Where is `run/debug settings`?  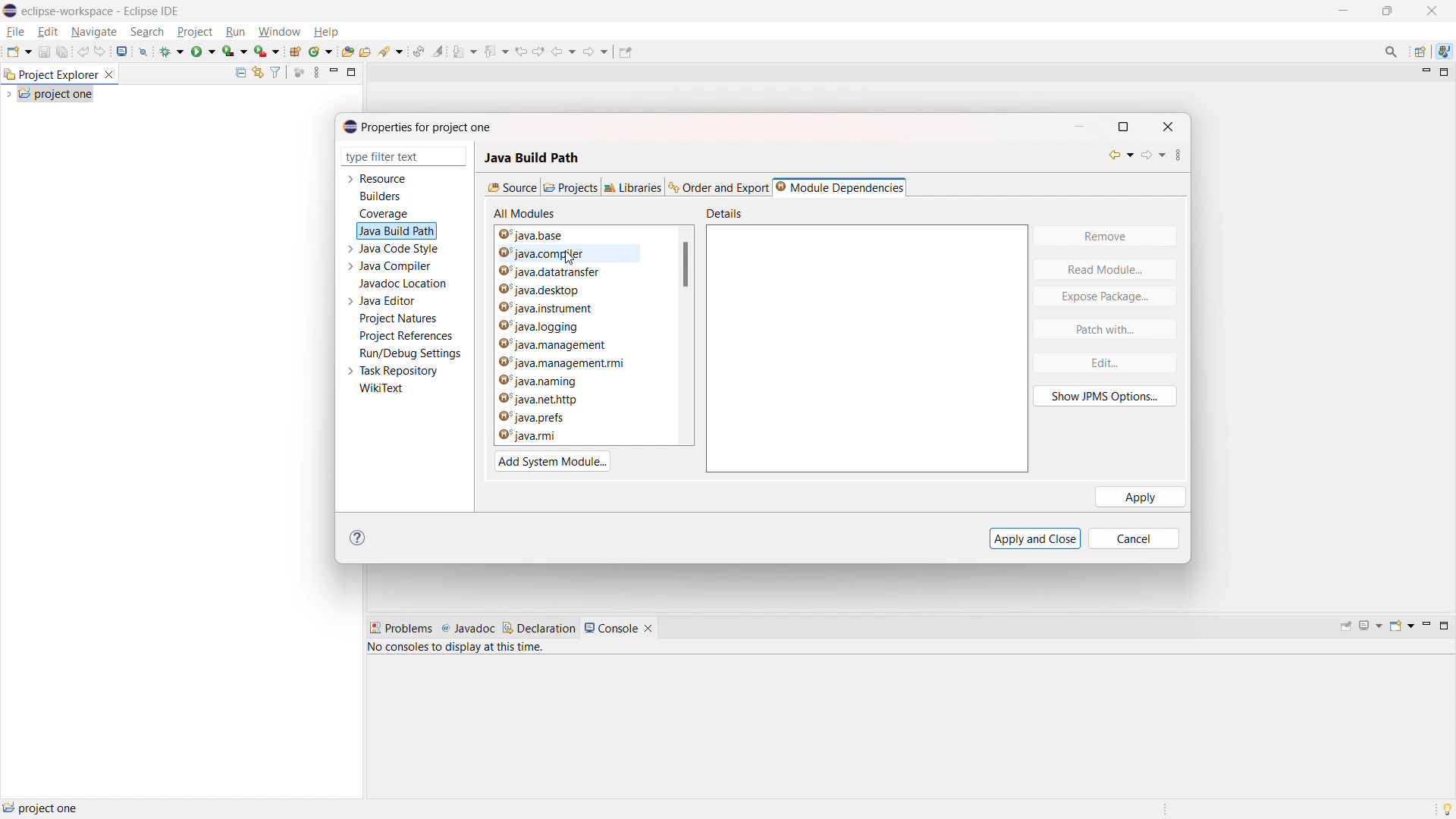
run/debug settings is located at coordinates (411, 353).